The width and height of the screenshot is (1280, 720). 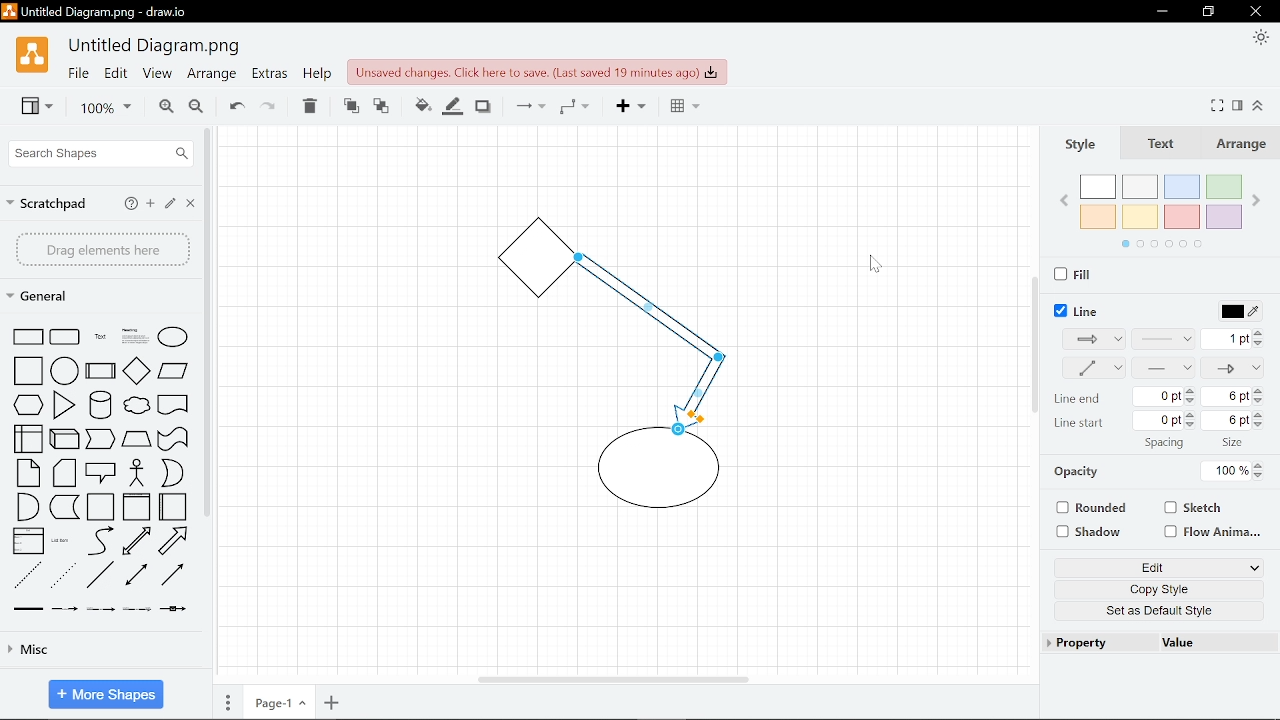 I want to click on shape, so click(x=173, y=373).